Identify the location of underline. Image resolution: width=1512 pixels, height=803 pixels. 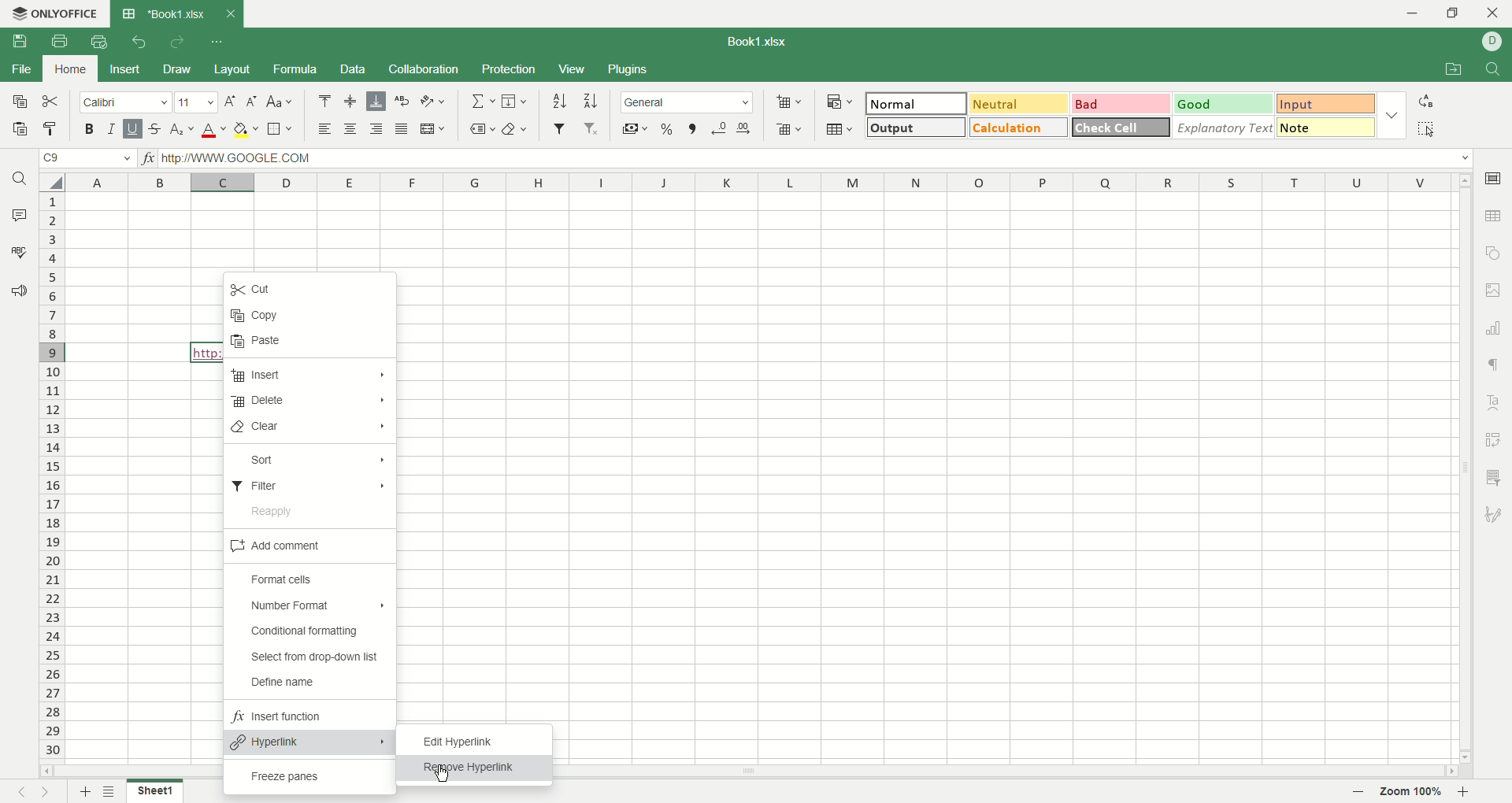
(132, 129).